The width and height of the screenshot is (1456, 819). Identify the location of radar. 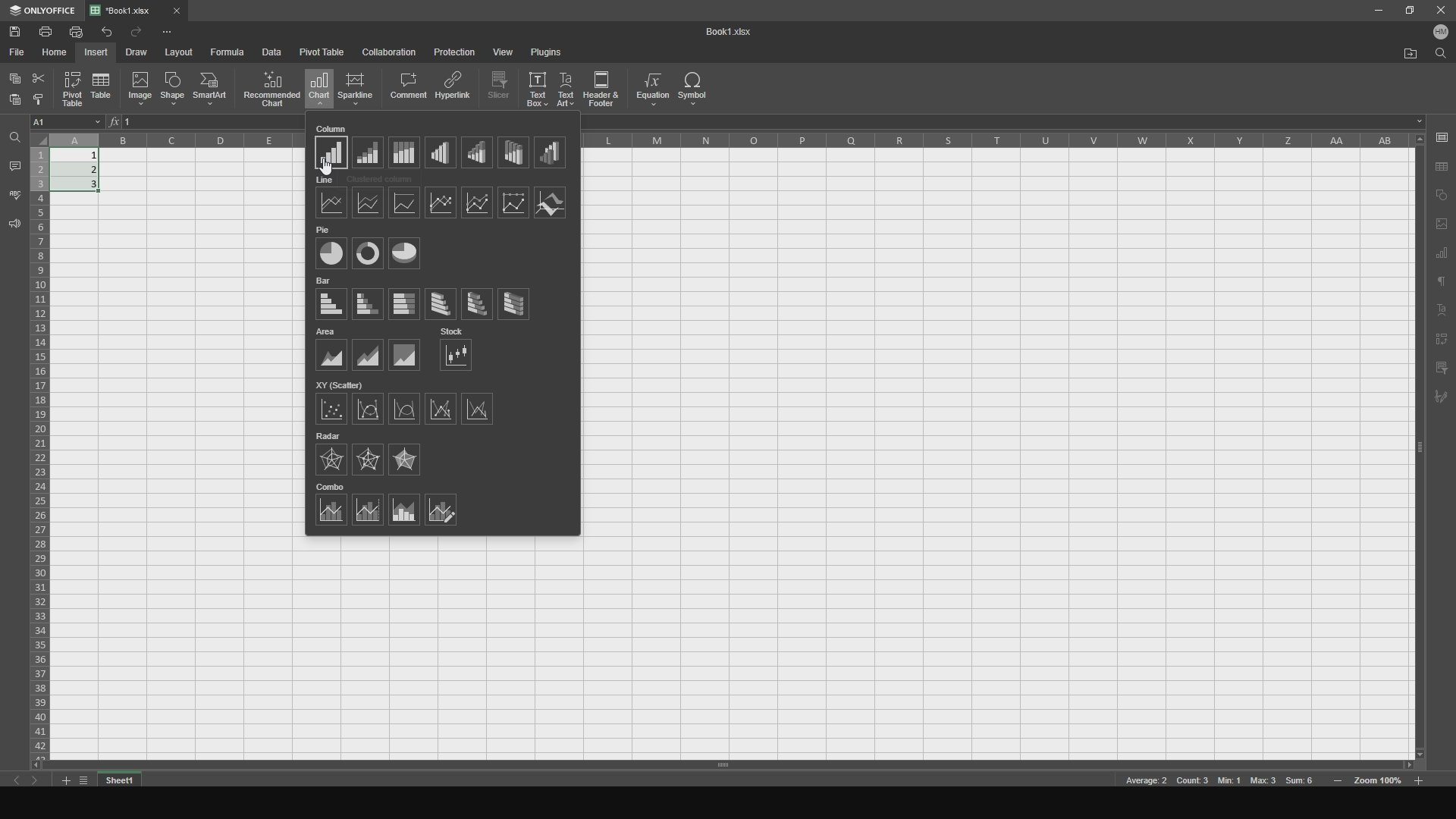
(369, 453).